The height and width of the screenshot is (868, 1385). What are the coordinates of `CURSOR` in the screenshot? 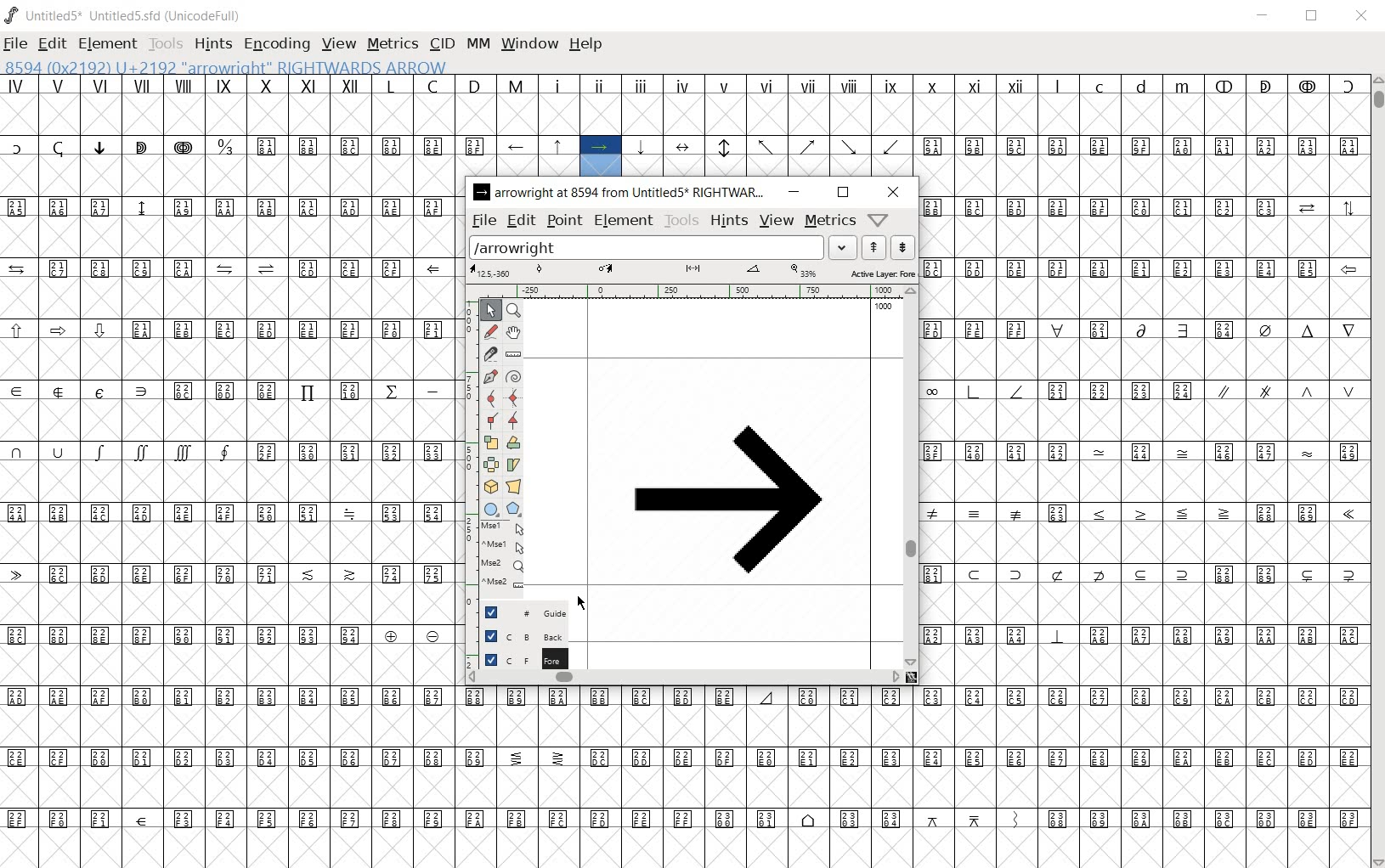 It's located at (584, 603).